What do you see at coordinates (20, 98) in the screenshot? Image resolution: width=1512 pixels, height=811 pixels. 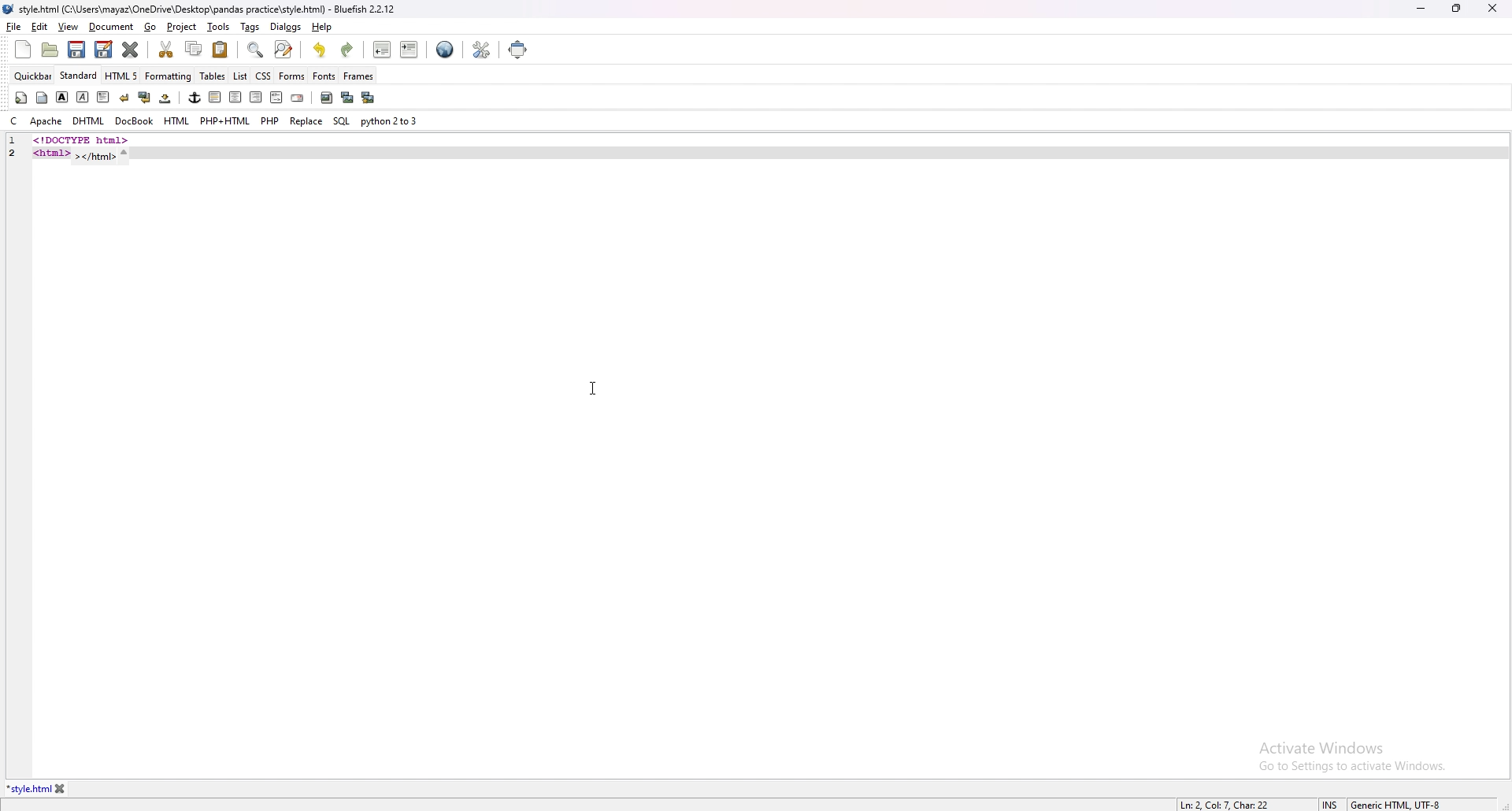 I see `quickstart` at bounding box center [20, 98].